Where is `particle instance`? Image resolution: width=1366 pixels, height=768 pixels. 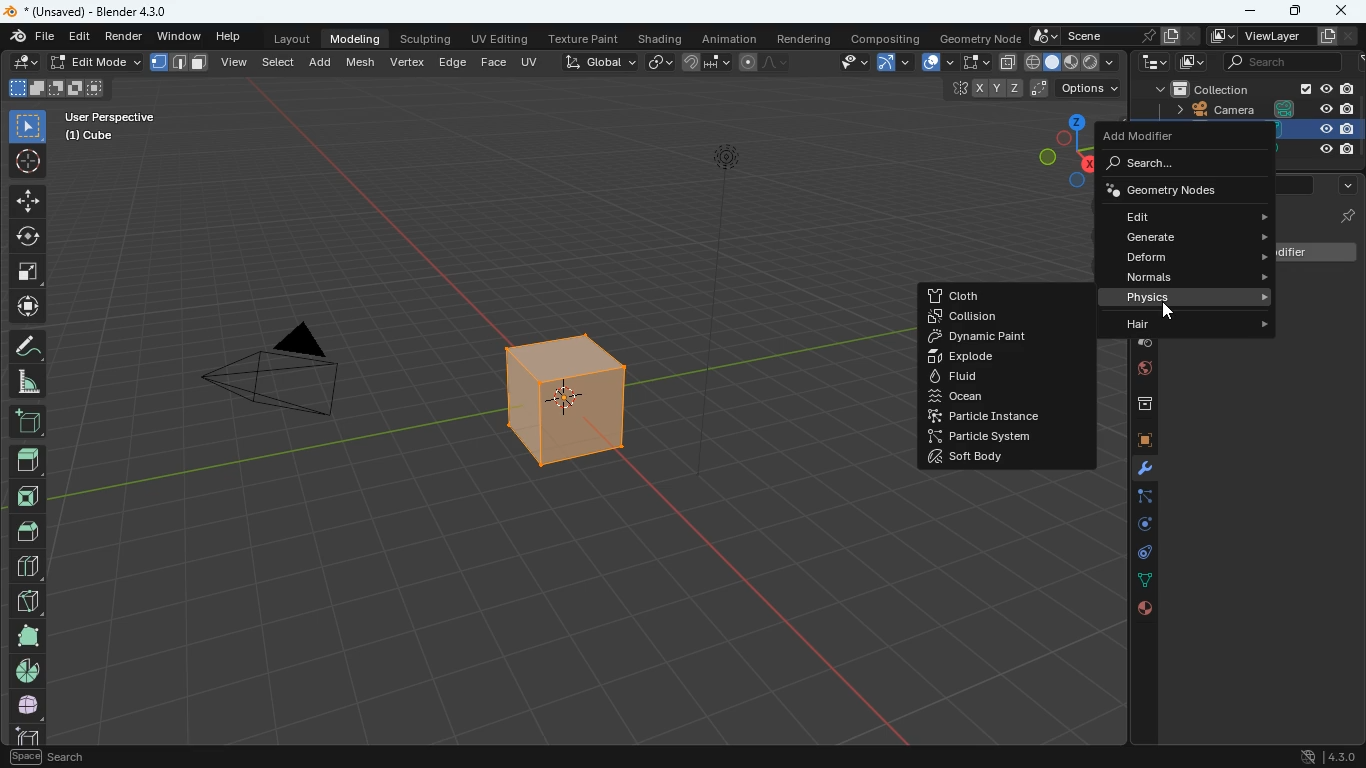 particle instance is located at coordinates (987, 416).